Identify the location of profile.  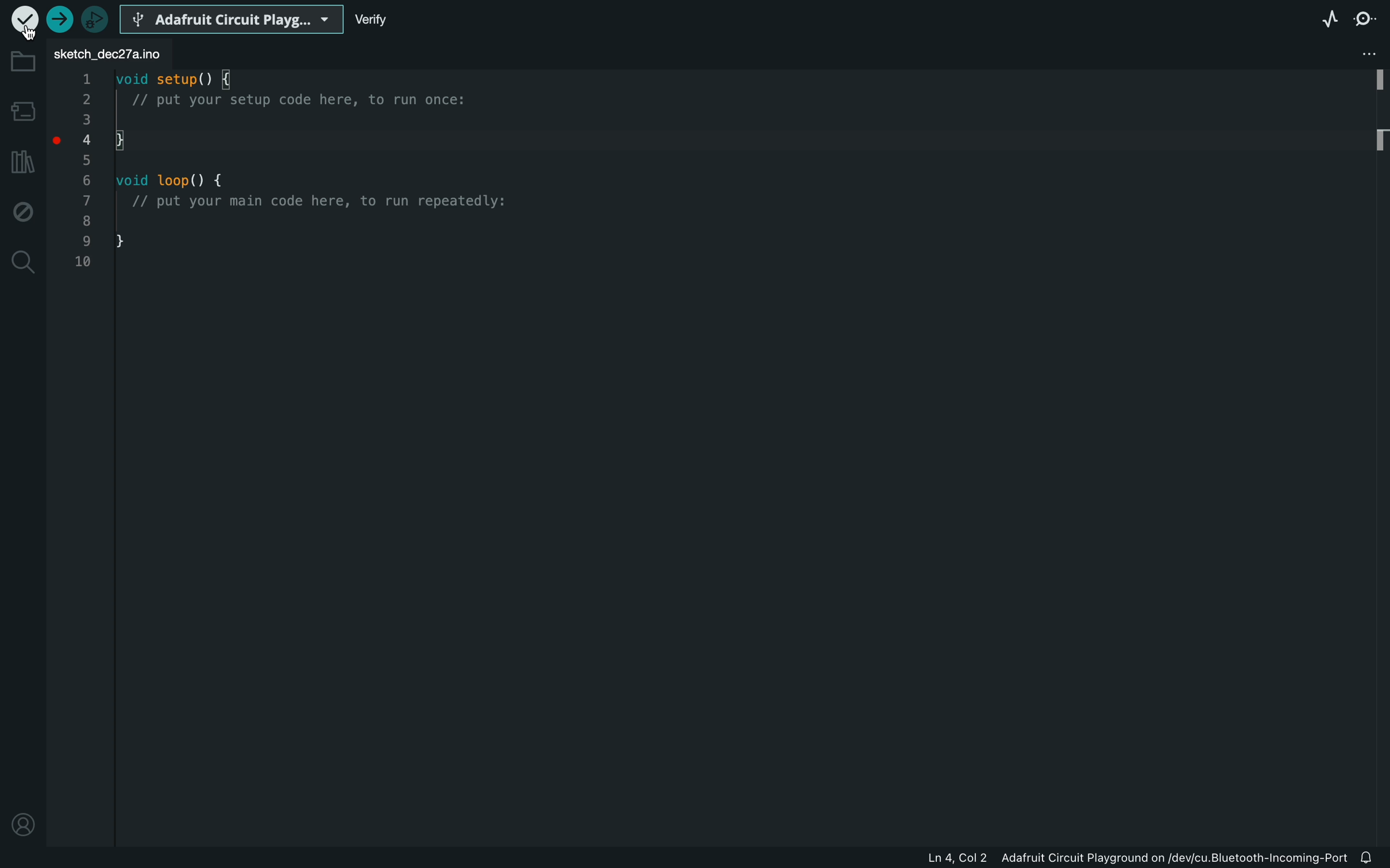
(21, 824).